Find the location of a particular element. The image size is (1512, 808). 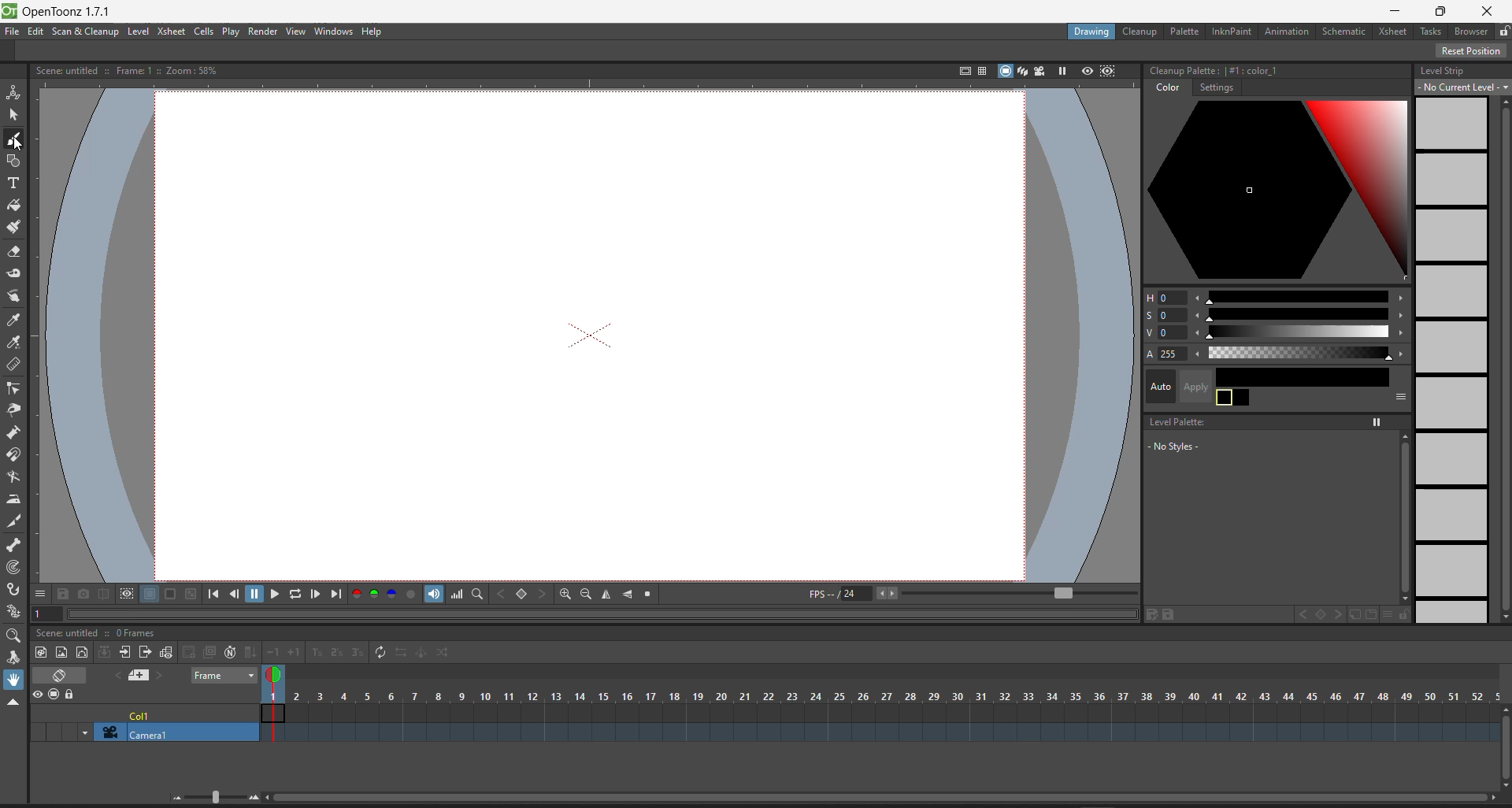

random is located at coordinates (445, 651).